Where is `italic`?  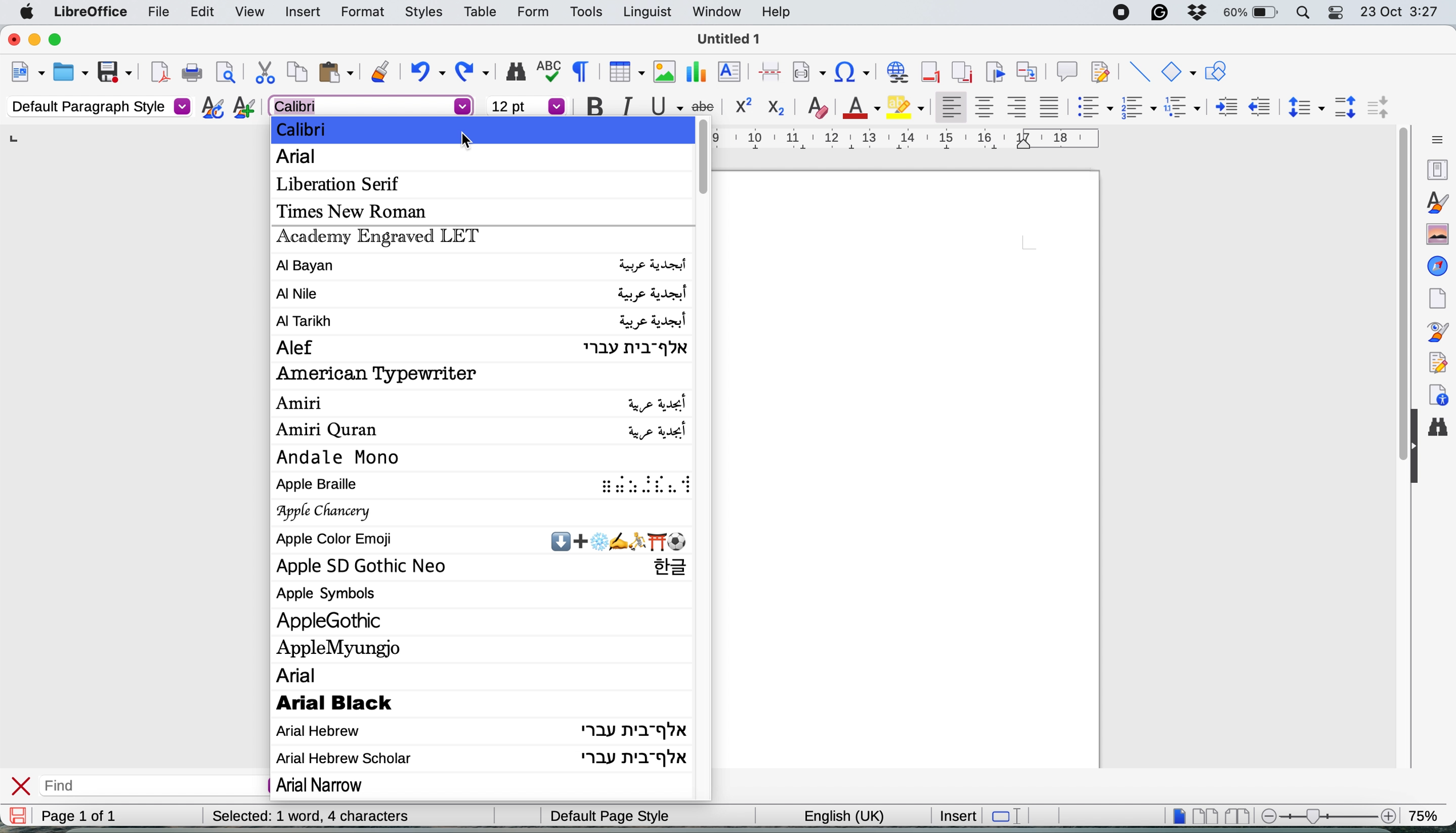 italic is located at coordinates (626, 107).